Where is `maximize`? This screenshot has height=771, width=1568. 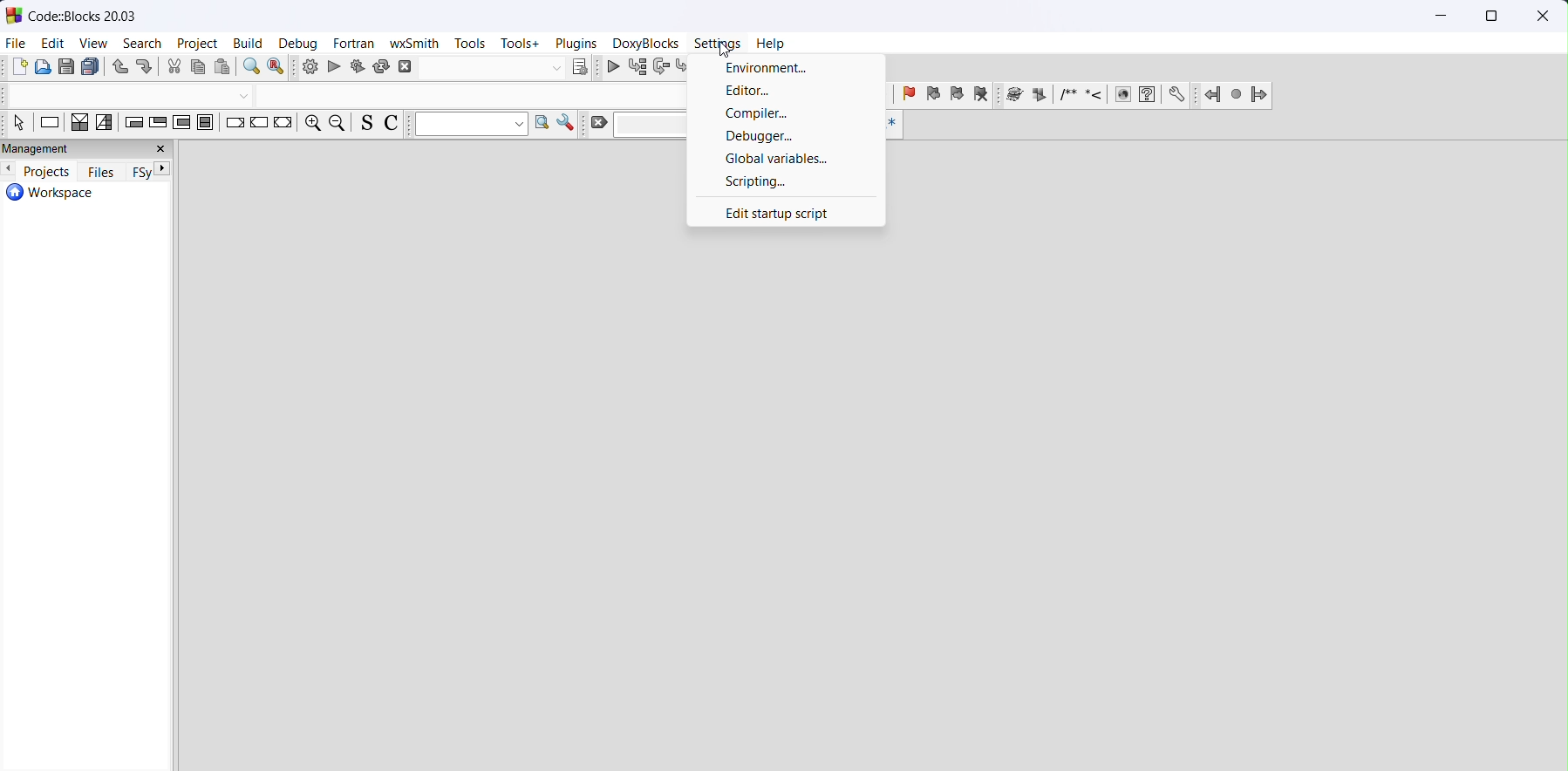
maximize is located at coordinates (1489, 17).